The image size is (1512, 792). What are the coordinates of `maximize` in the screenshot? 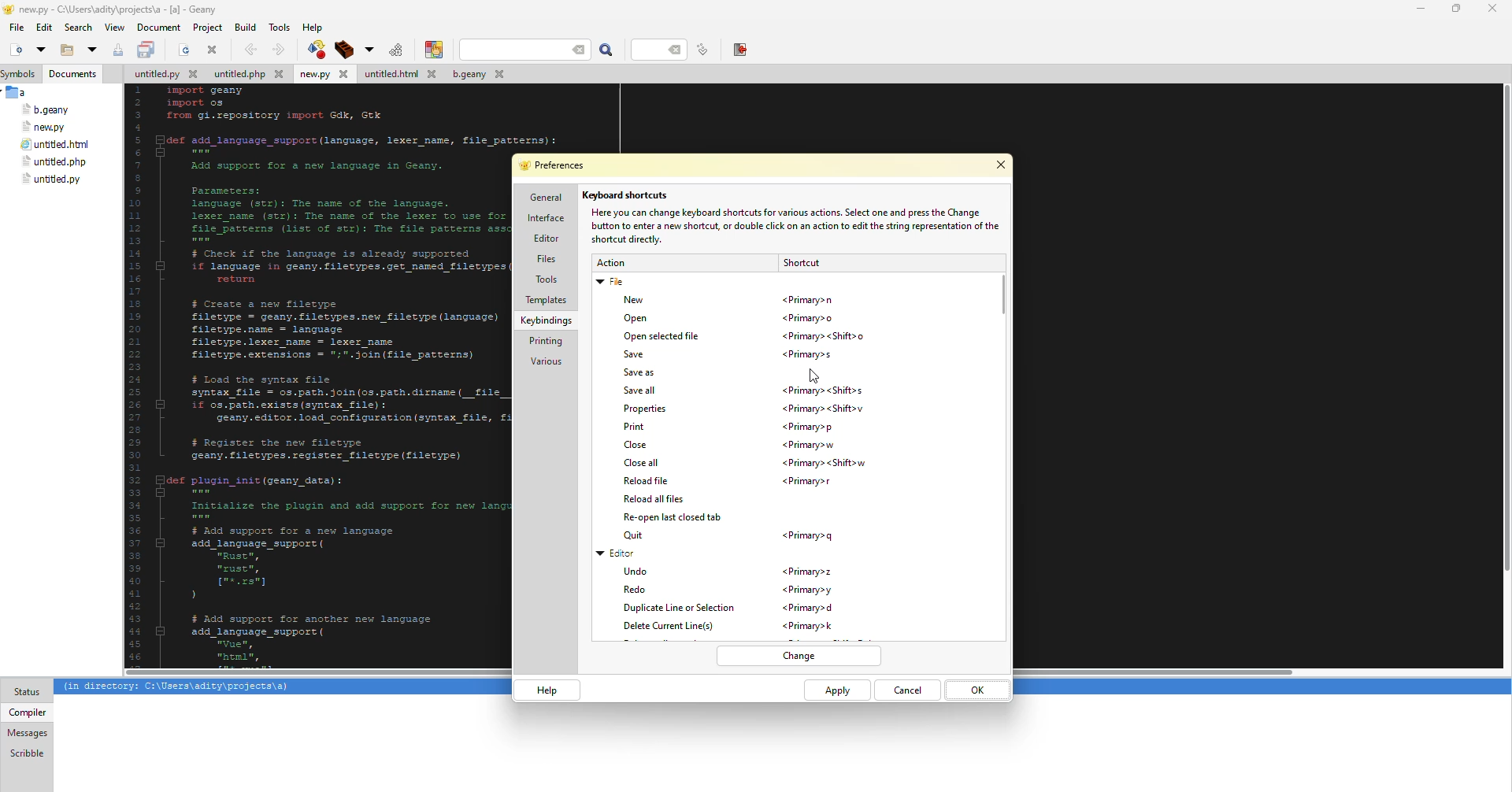 It's located at (1454, 9).